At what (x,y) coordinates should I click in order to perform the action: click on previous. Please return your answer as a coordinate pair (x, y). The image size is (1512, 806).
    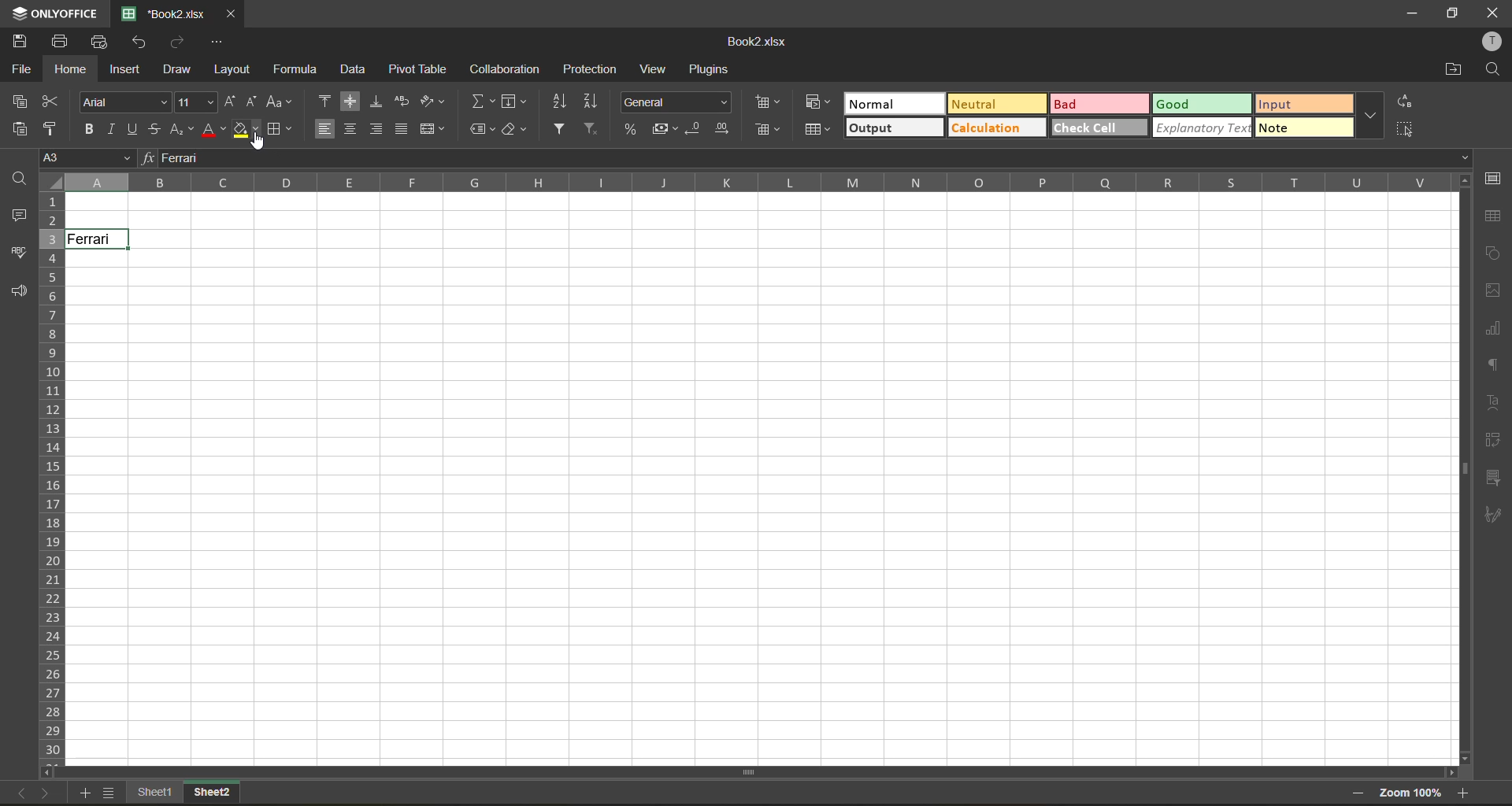
    Looking at the image, I should click on (17, 793).